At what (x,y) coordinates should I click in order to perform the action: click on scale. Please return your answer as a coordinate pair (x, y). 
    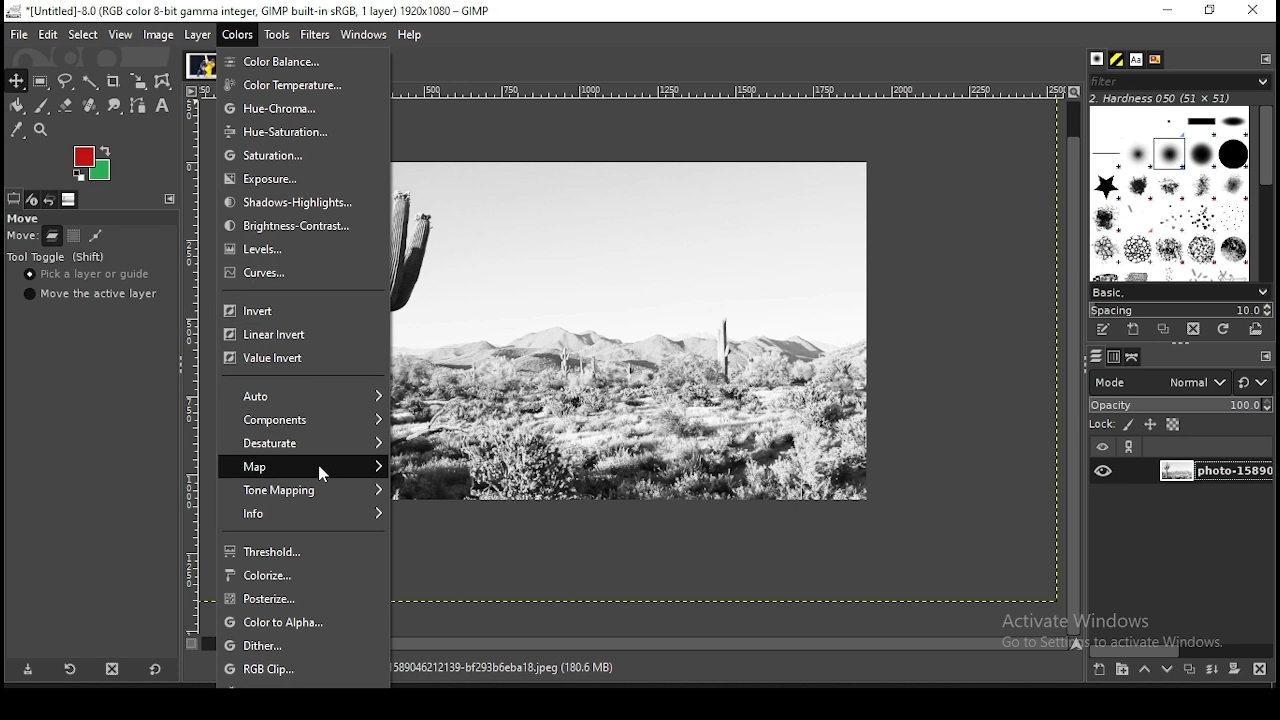
    Looking at the image, I should click on (724, 89).